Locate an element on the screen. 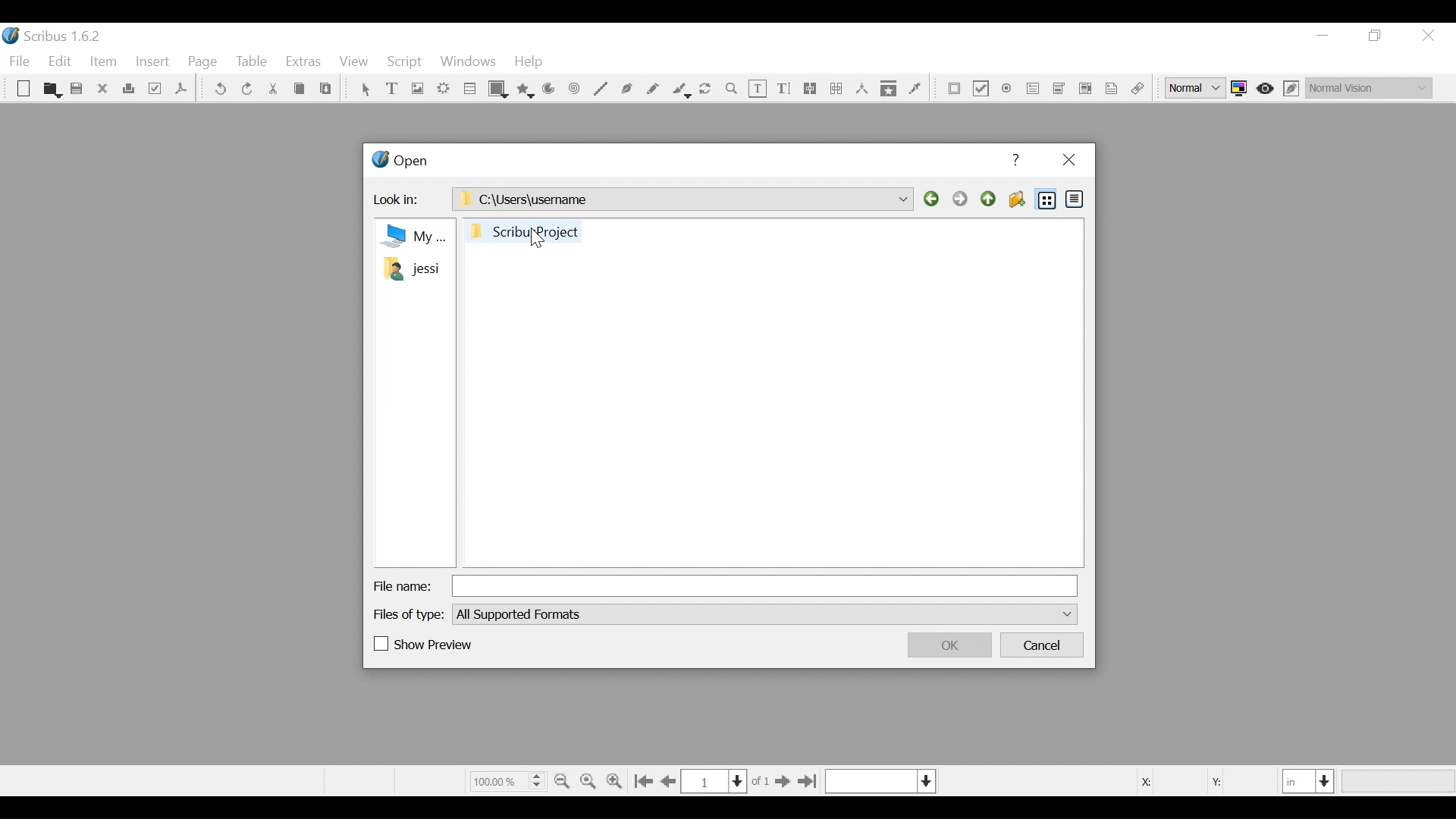  Select the current layer is located at coordinates (880, 781).